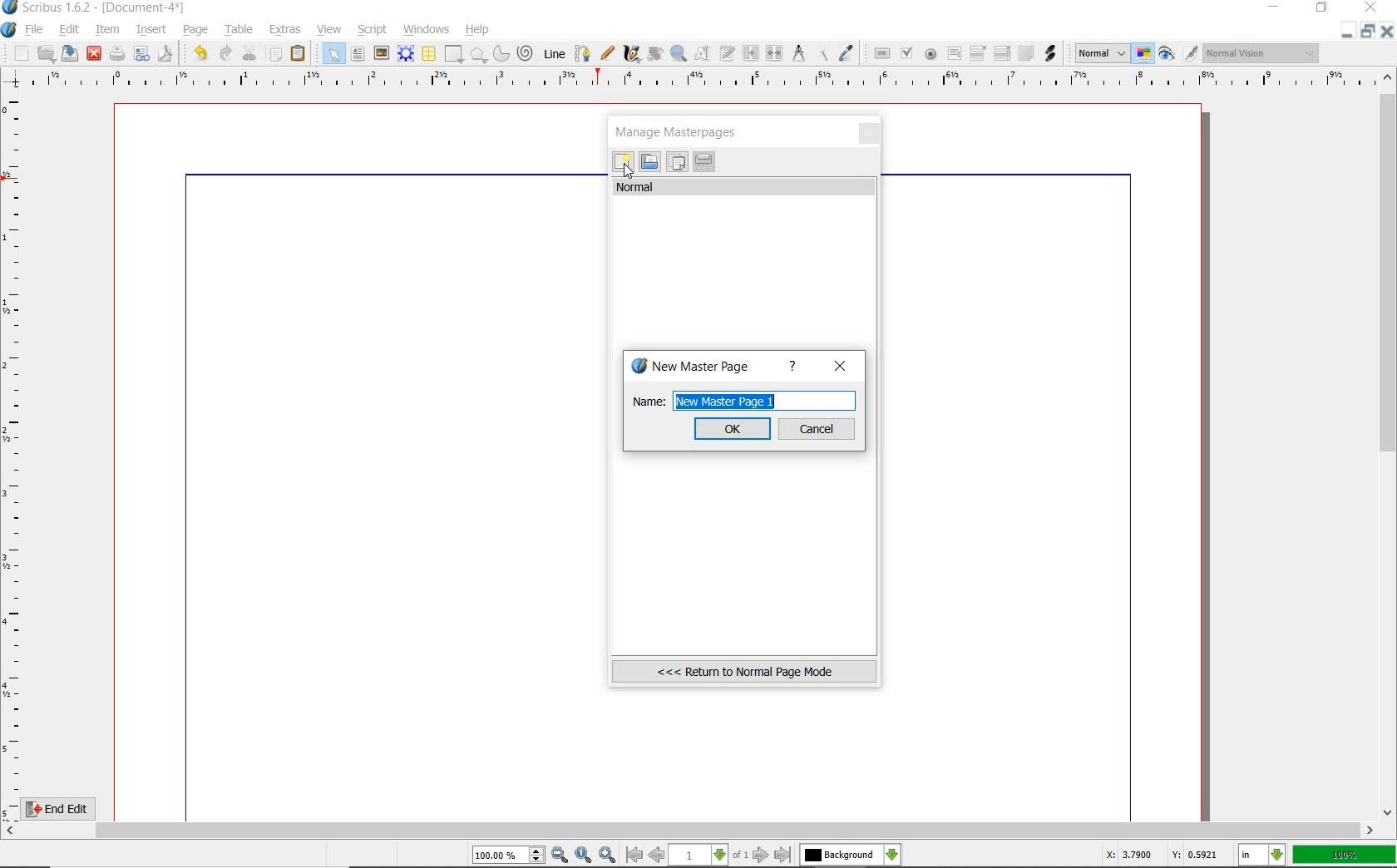 The height and width of the screenshot is (868, 1397). What do you see at coordinates (699, 856) in the screenshot?
I see `1` at bounding box center [699, 856].